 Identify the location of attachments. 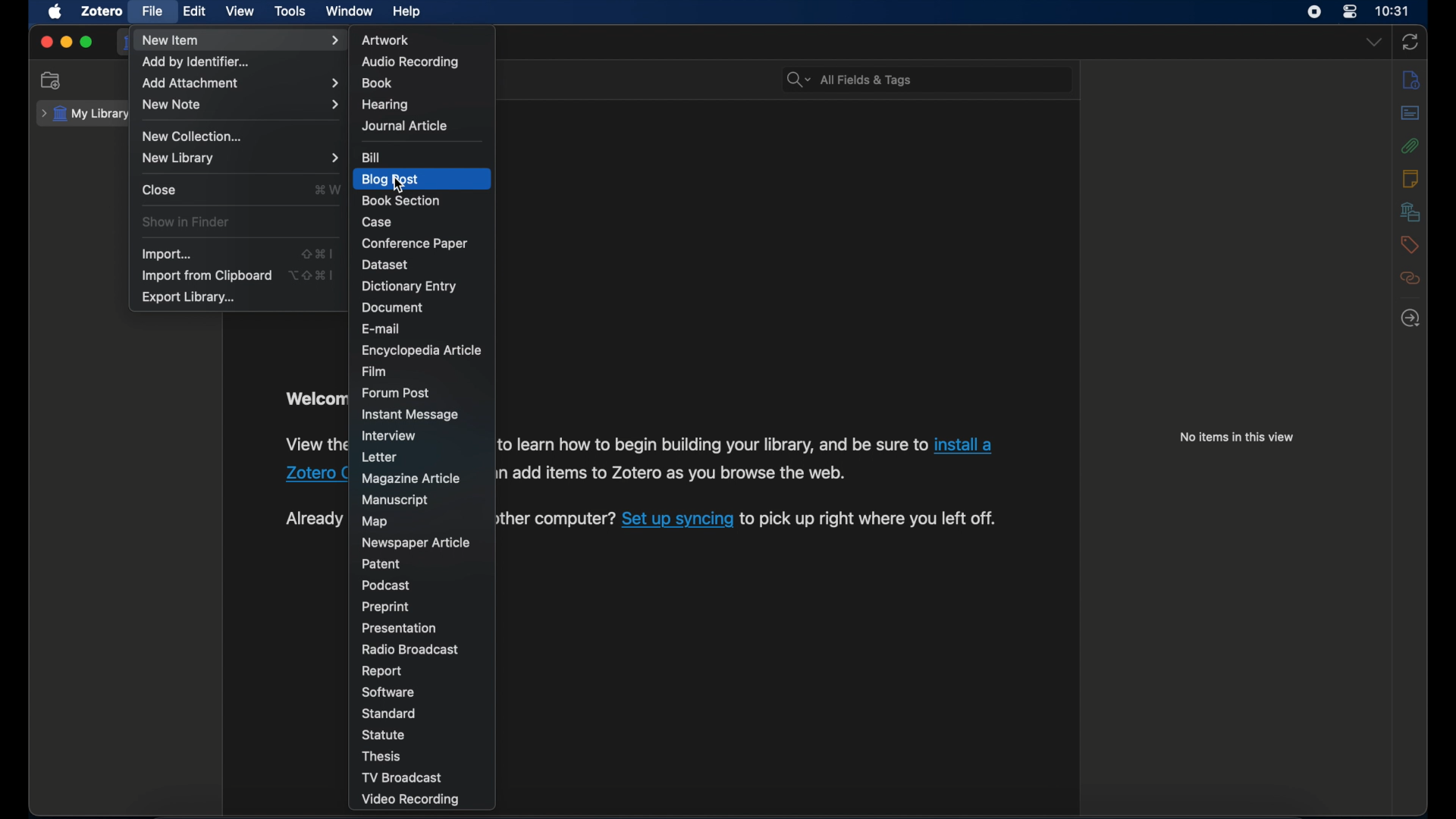
(1411, 146).